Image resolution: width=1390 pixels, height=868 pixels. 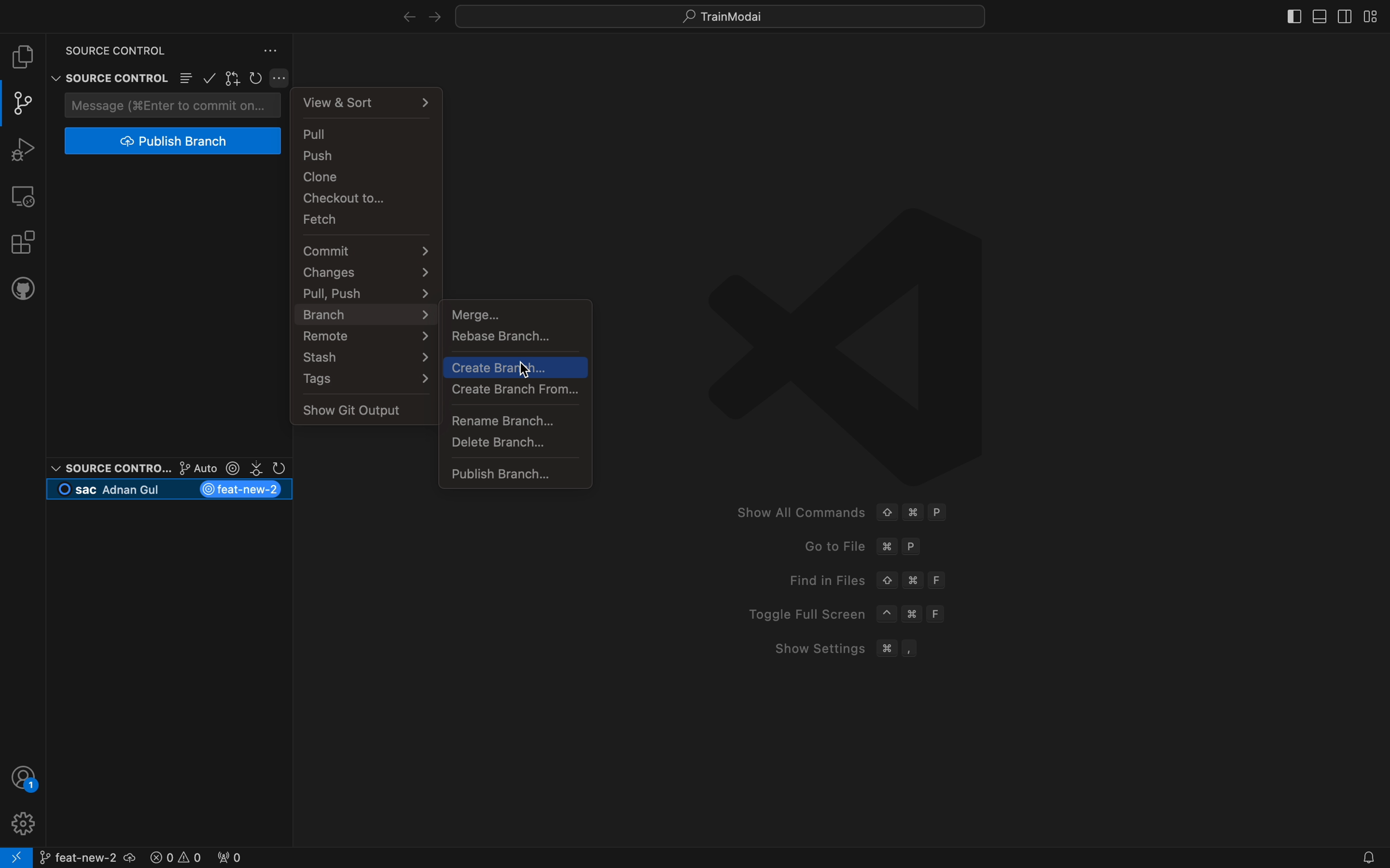 I want to click on tags, so click(x=365, y=379).